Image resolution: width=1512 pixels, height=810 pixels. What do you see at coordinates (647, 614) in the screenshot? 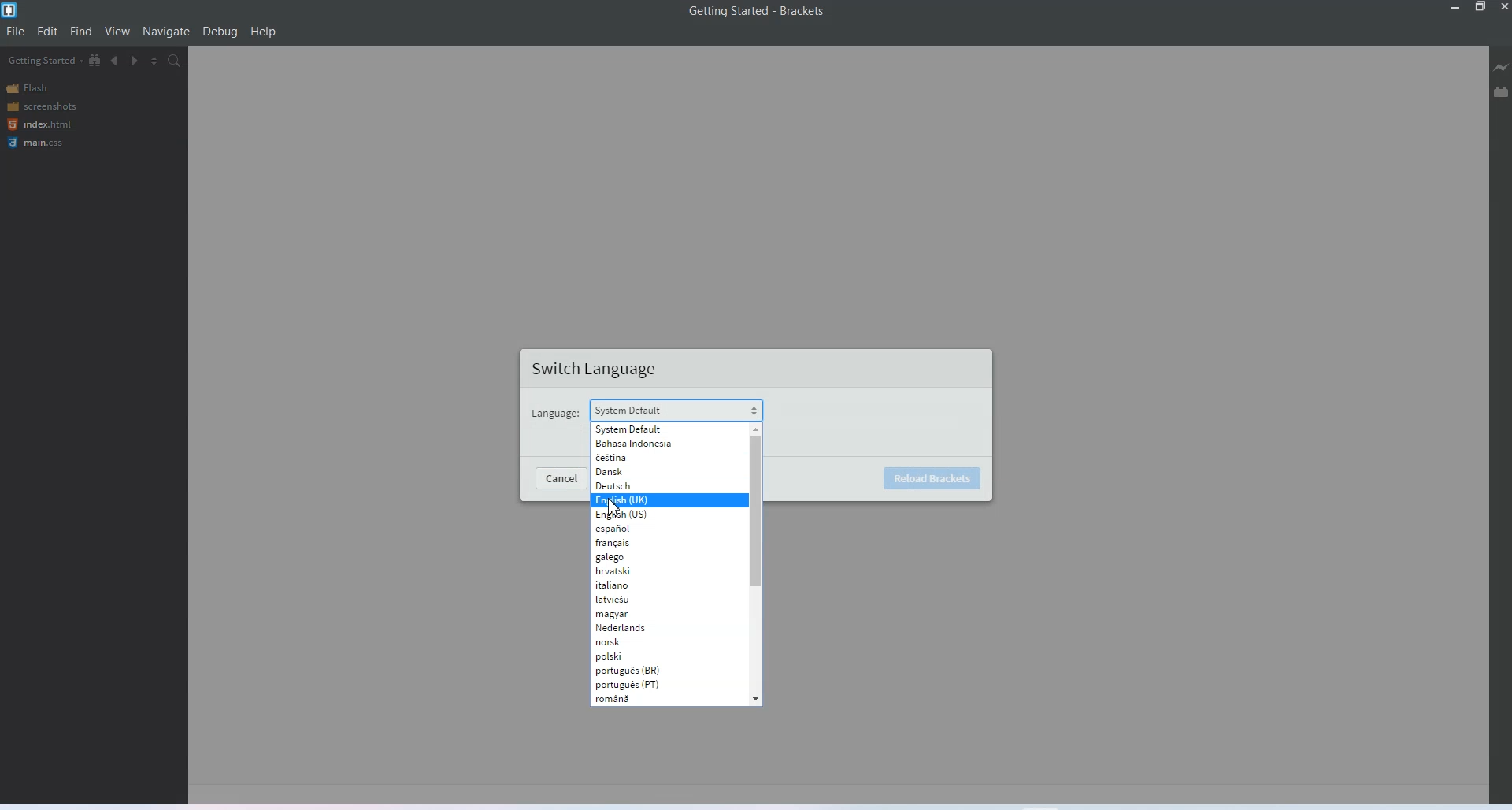
I see `magyar` at bounding box center [647, 614].